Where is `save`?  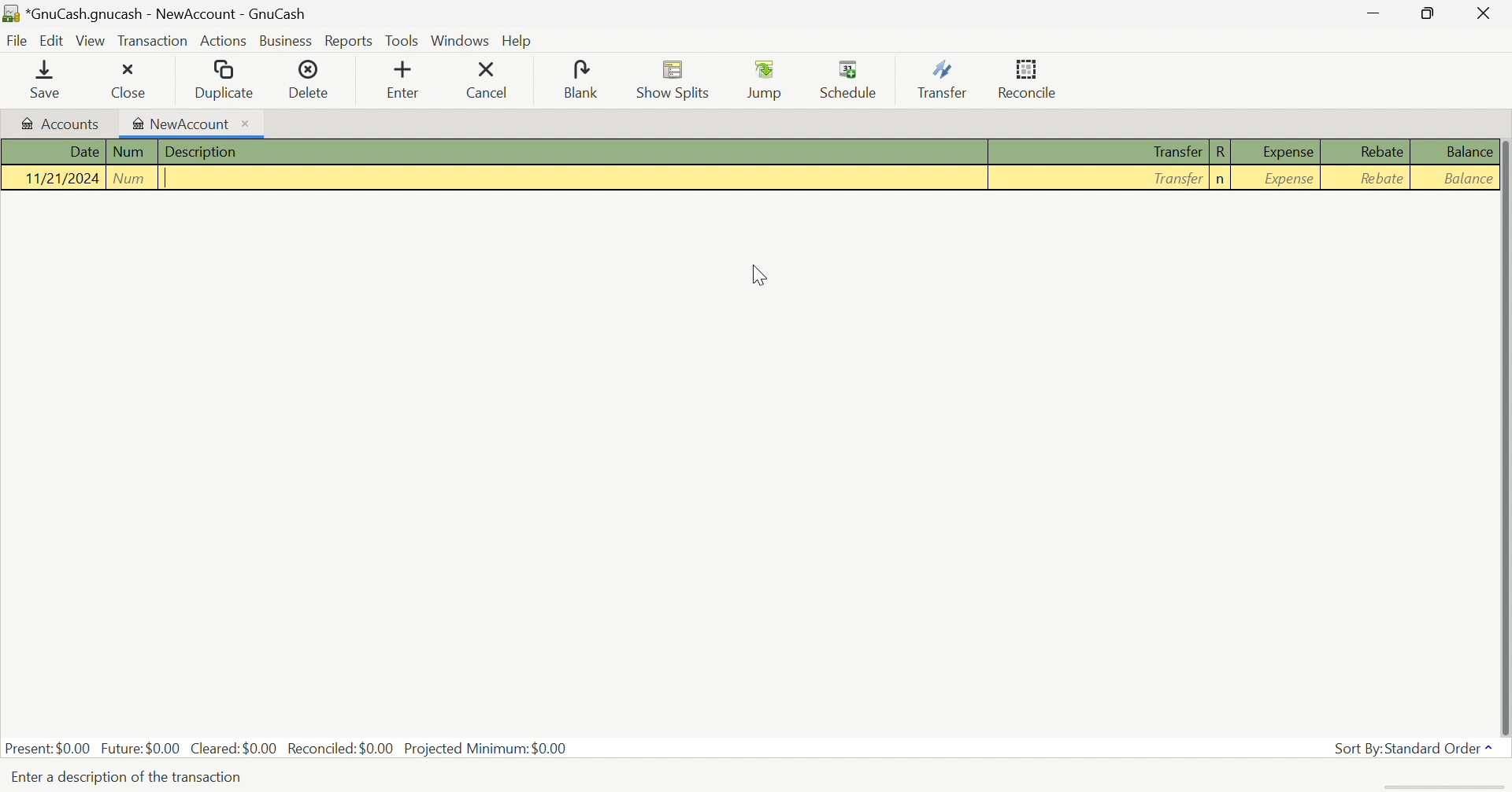 save is located at coordinates (50, 80).